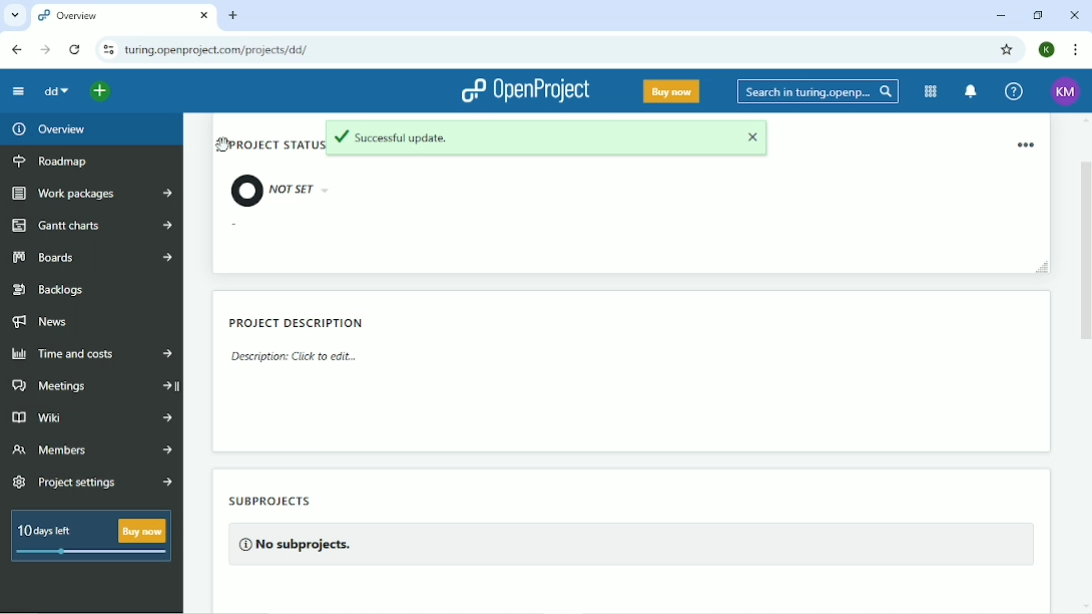 The image size is (1092, 614). What do you see at coordinates (218, 50) in the screenshot?
I see `Site` at bounding box center [218, 50].